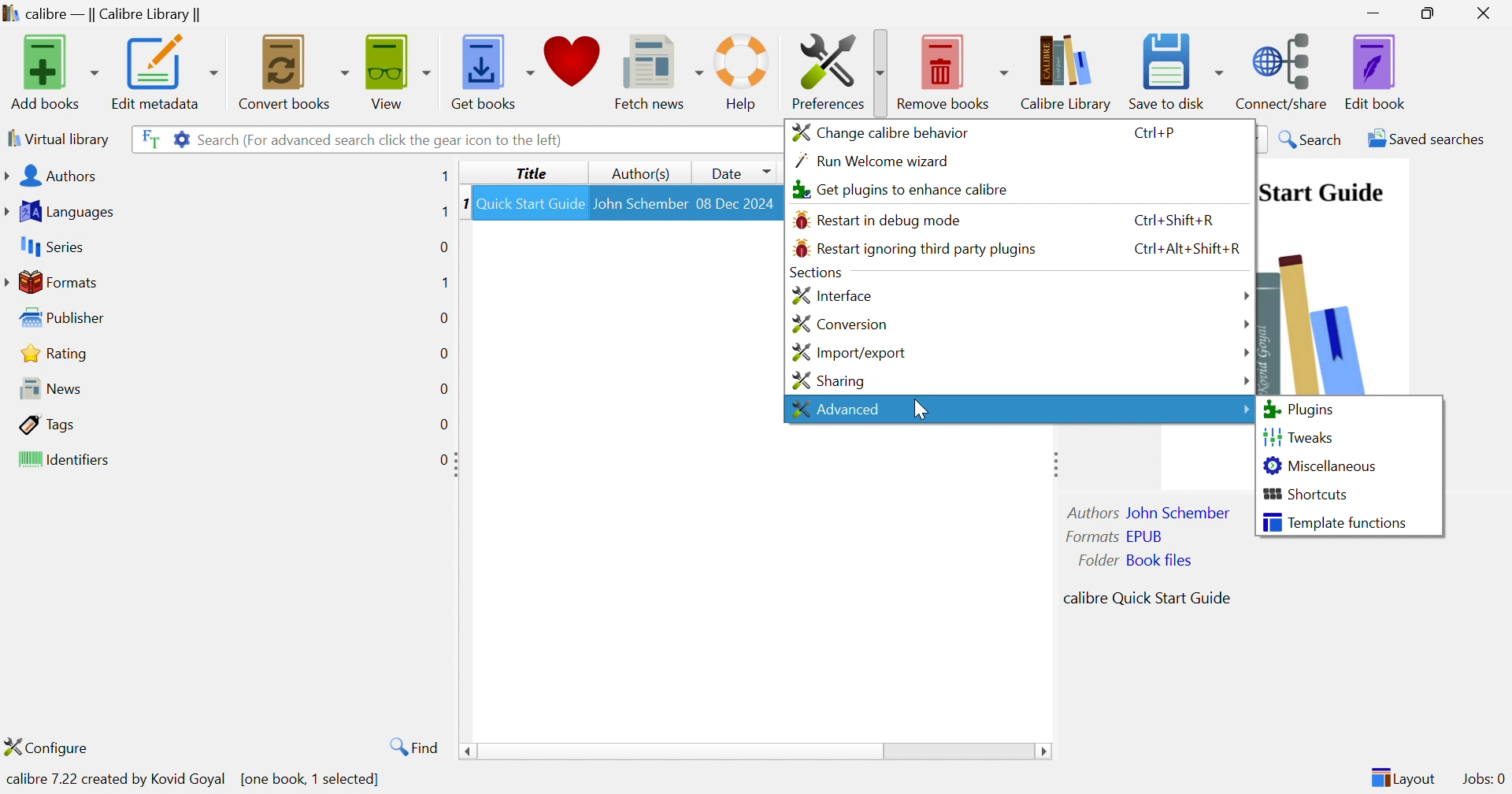 The width and height of the screenshot is (1512, 794). What do you see at coordinates (880, 131) in the screenshot?
I see `Change calibre behaviour` at bounding box center [880, 131].